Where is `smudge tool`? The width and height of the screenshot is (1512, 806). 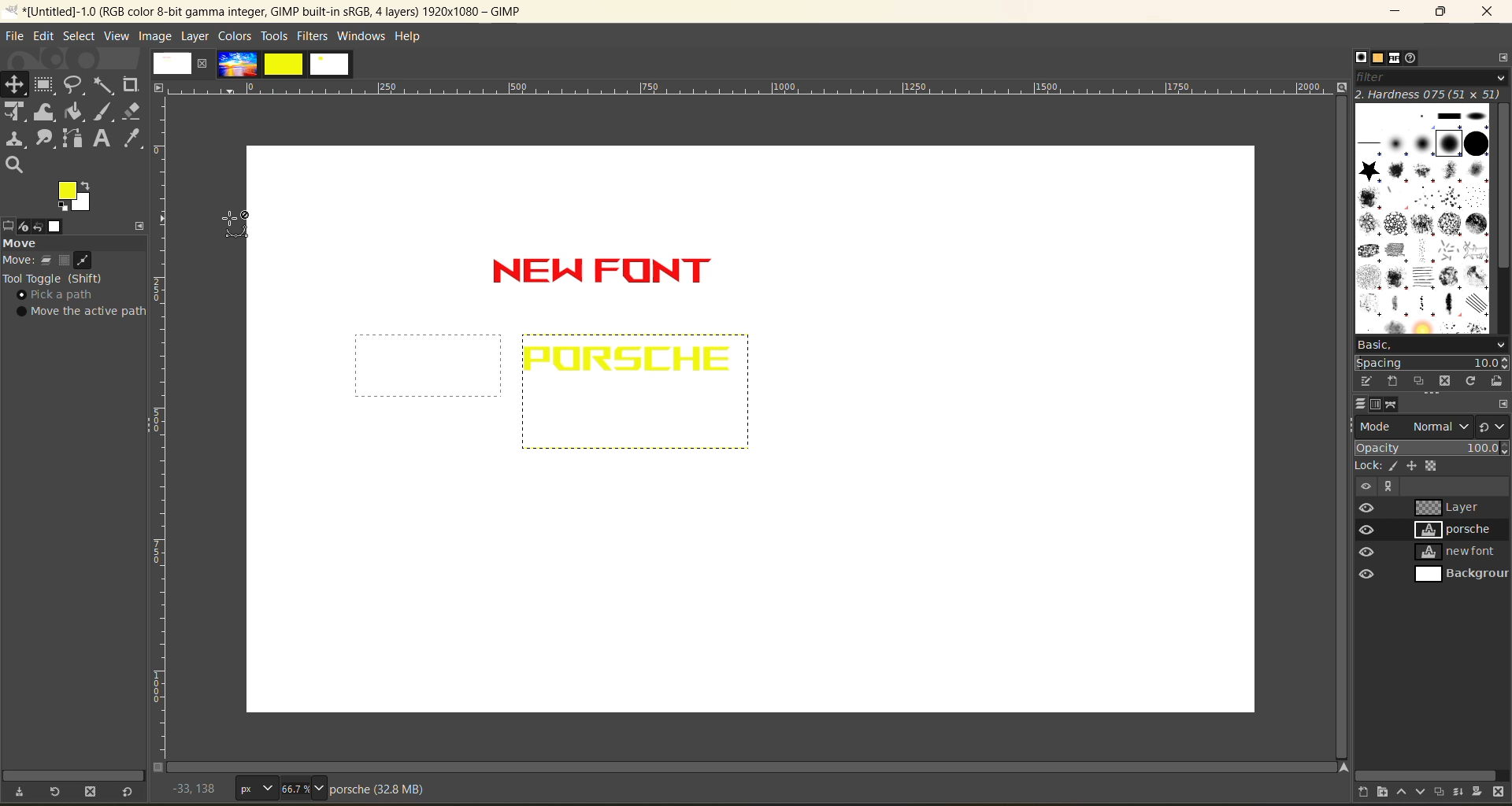
smudge tool is located at coordinates (46, 139).